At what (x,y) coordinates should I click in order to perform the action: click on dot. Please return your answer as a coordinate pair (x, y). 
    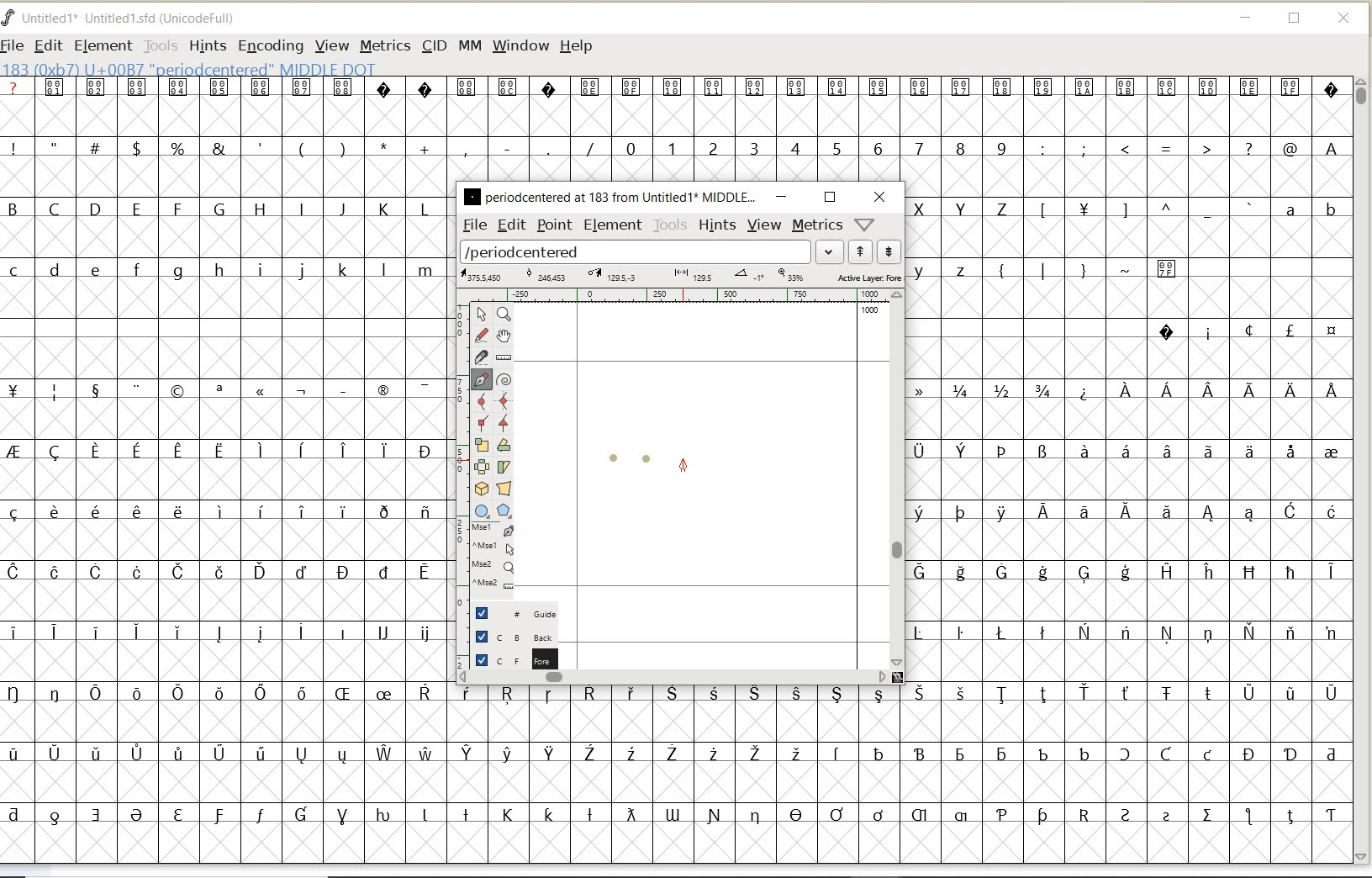
    Looking at the image, I should click on (614, 456).